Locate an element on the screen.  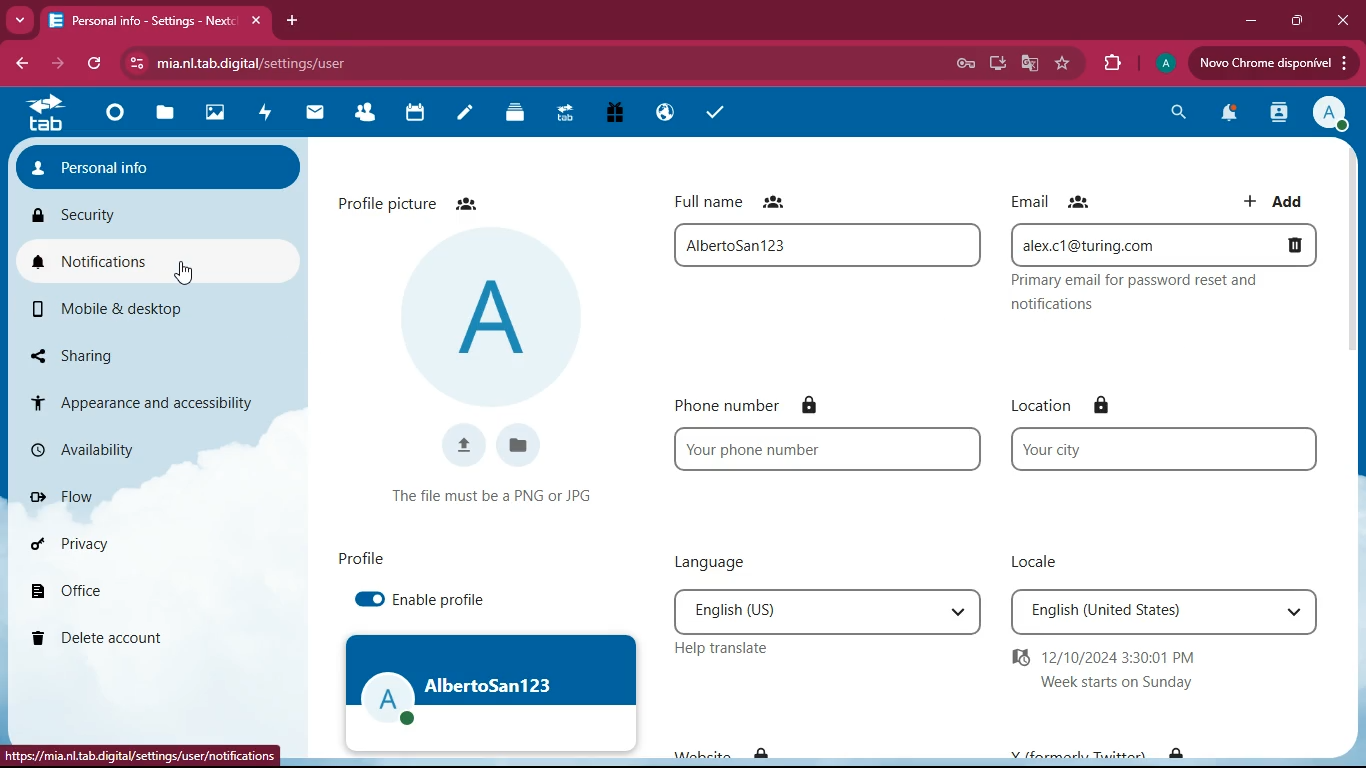
add is located at coordinates (1277, 200).